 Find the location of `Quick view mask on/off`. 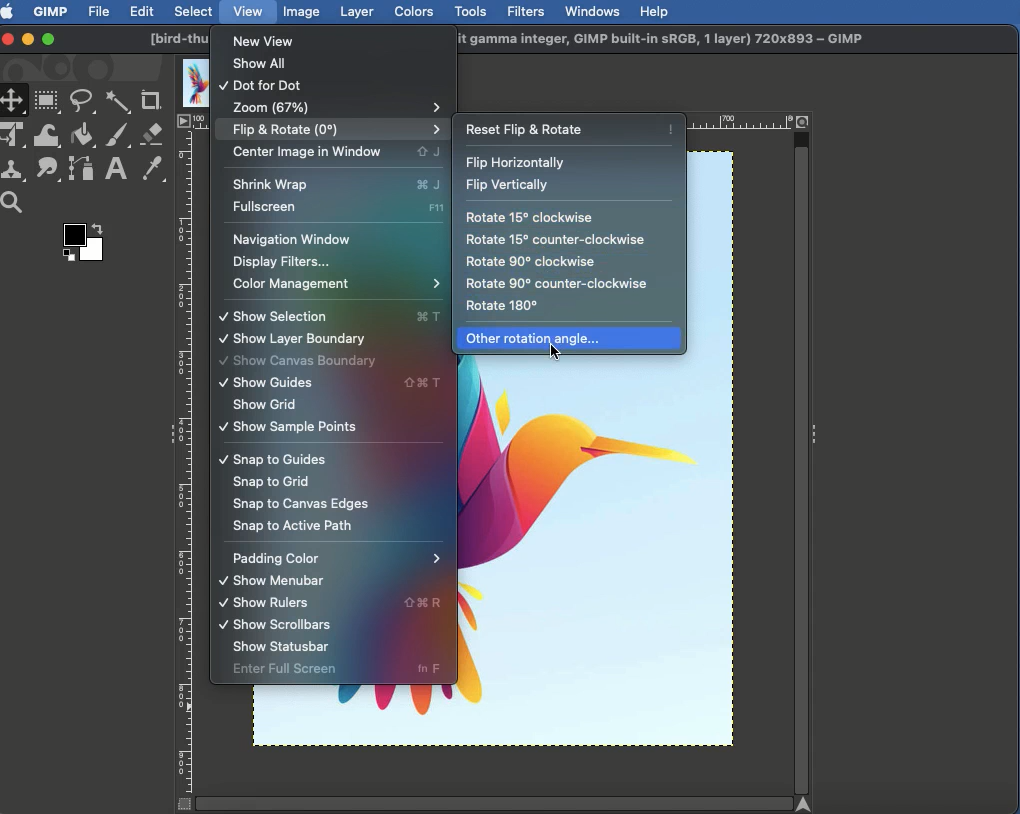

Quick view mask on/off is located at coordinates (181, 805).